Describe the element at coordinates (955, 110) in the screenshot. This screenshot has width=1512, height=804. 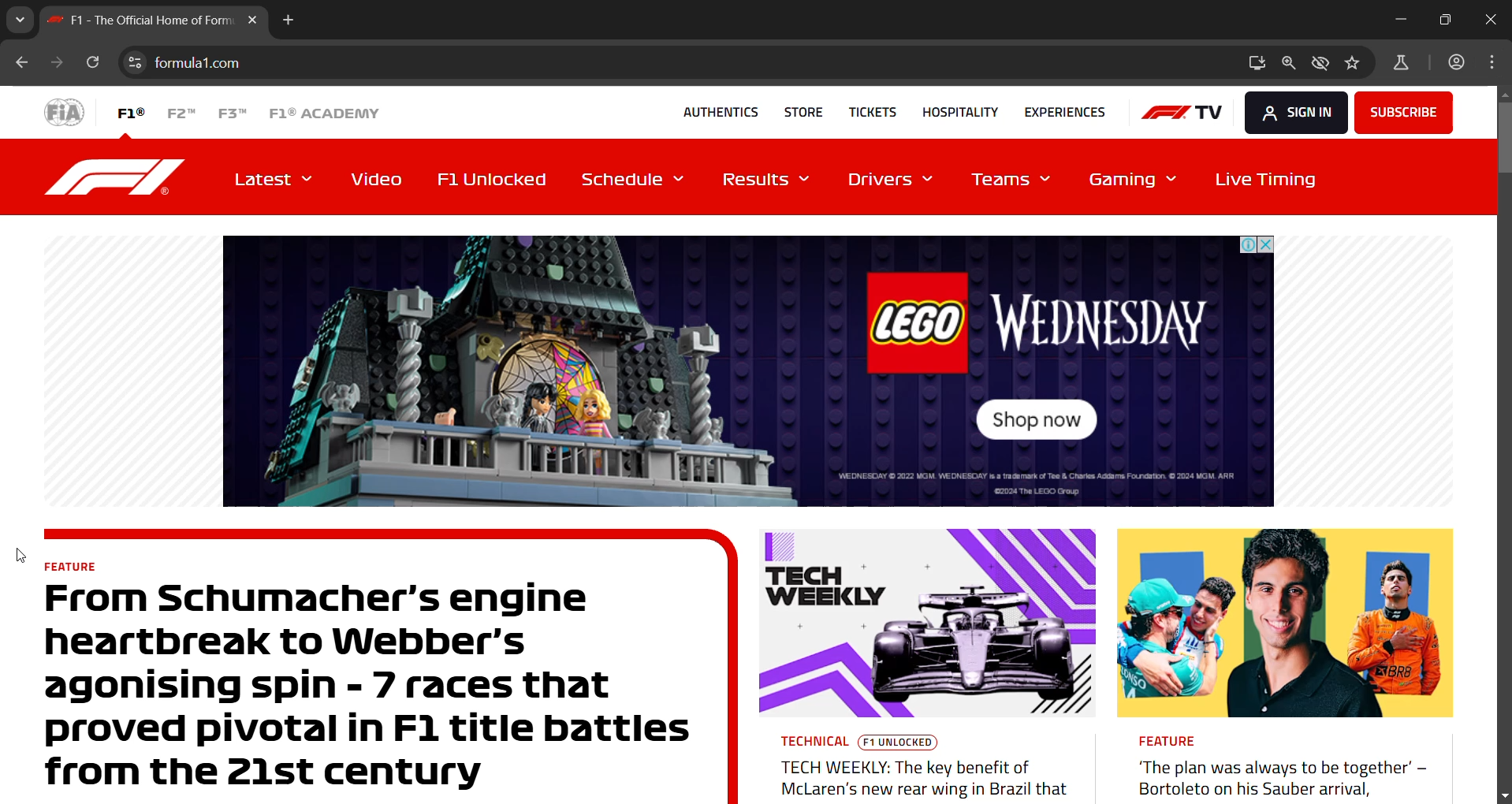
I see `HOSPITALITY` at that location.